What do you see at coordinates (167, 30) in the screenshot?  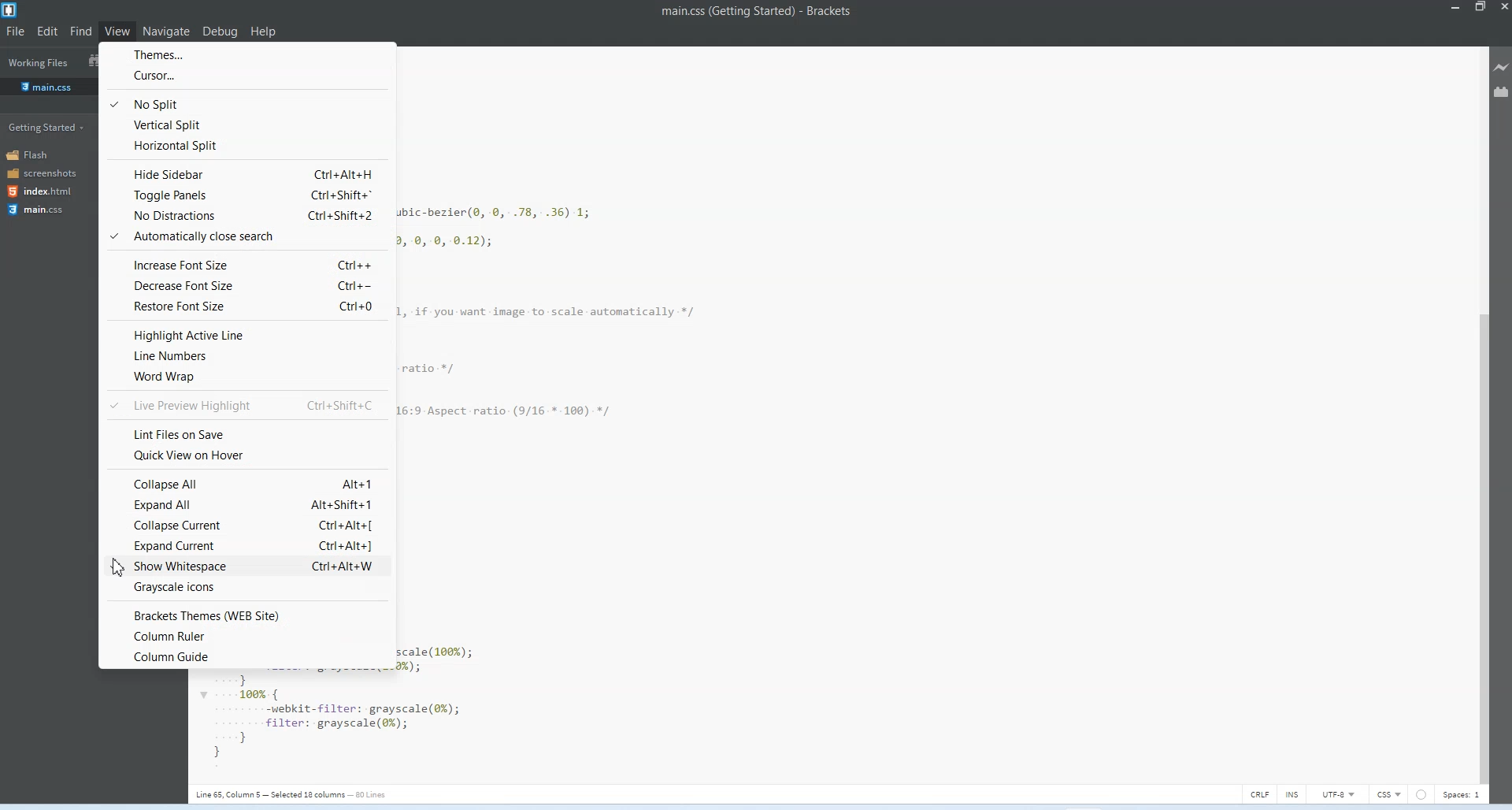 I see `Navigate` at bounding box center [167, 30].